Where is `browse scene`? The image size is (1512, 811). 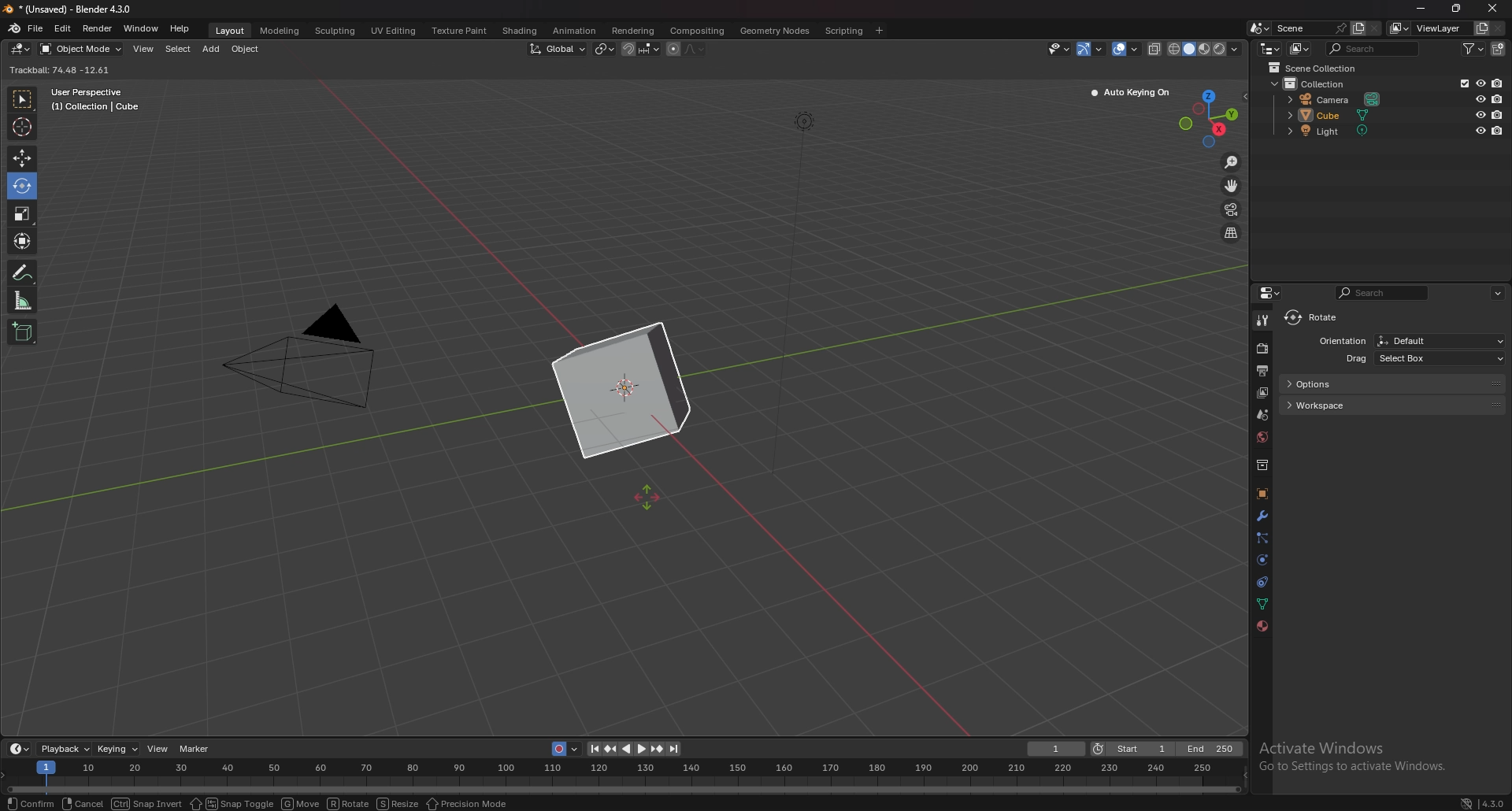
browse scene is located at coordinates (1258, 28).